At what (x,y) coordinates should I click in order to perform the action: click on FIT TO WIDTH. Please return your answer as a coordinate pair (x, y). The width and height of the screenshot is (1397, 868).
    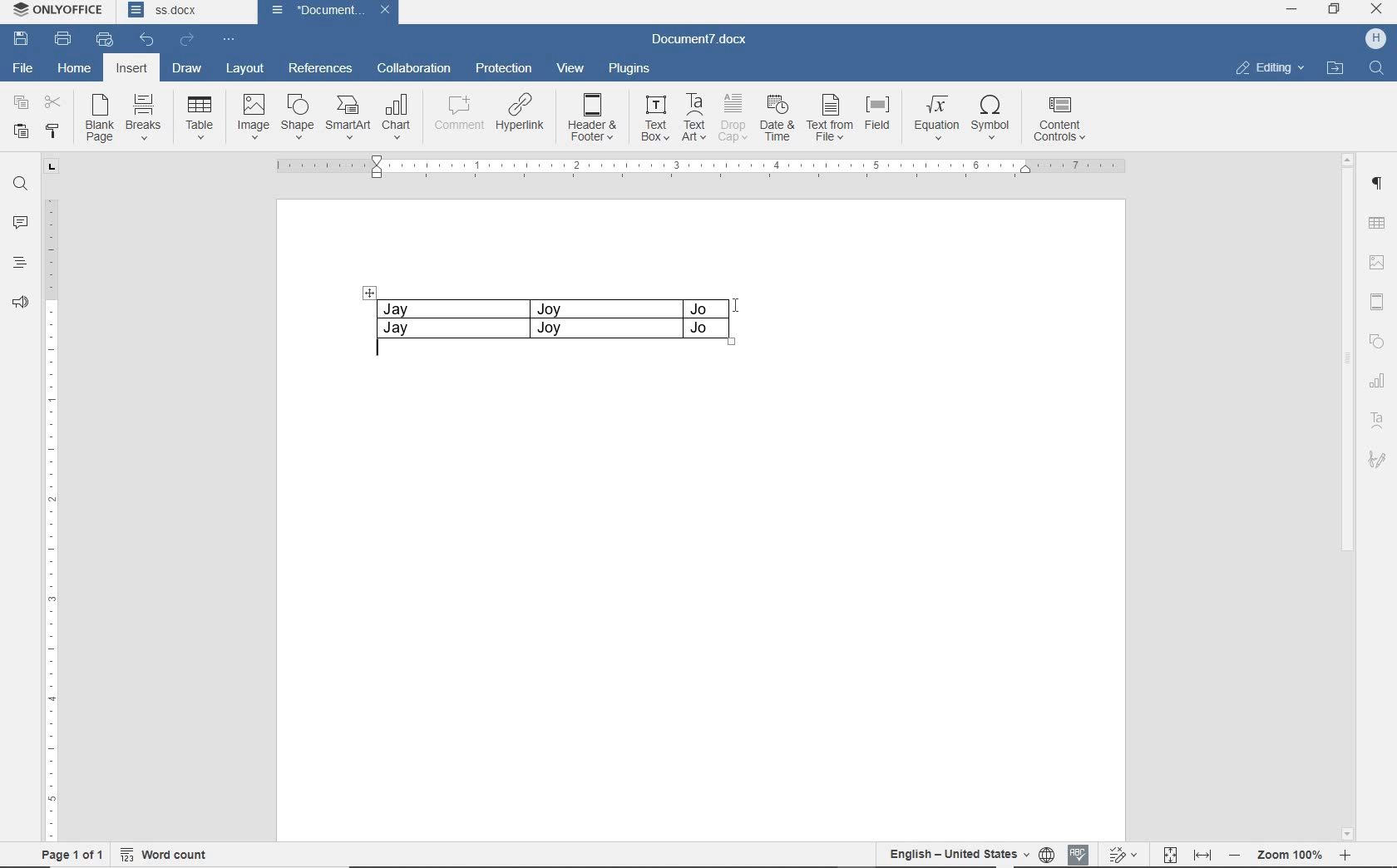
    Looking at the image, I should click on (1202, 852).